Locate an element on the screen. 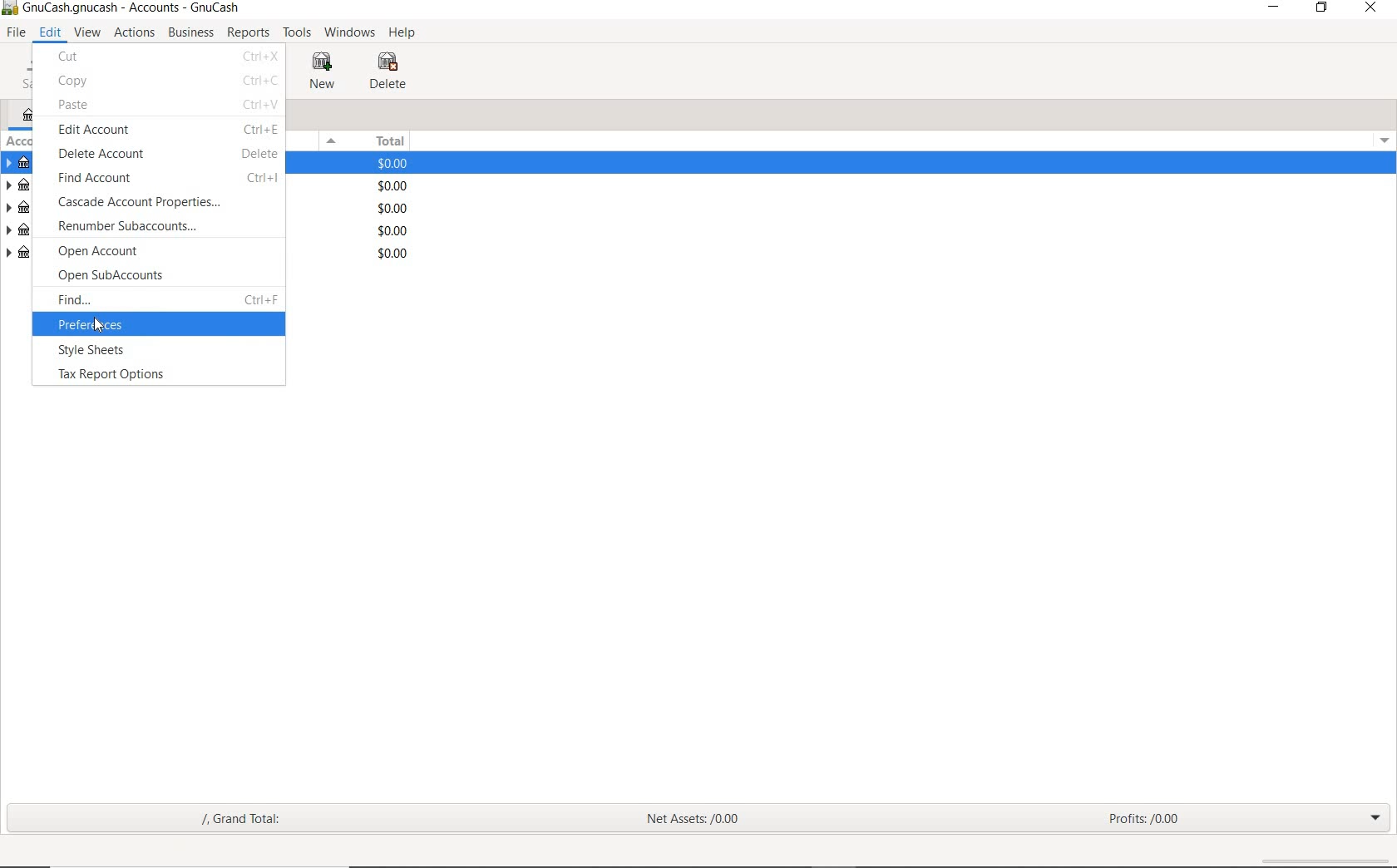  FILE is located at coordinates (15, 33).